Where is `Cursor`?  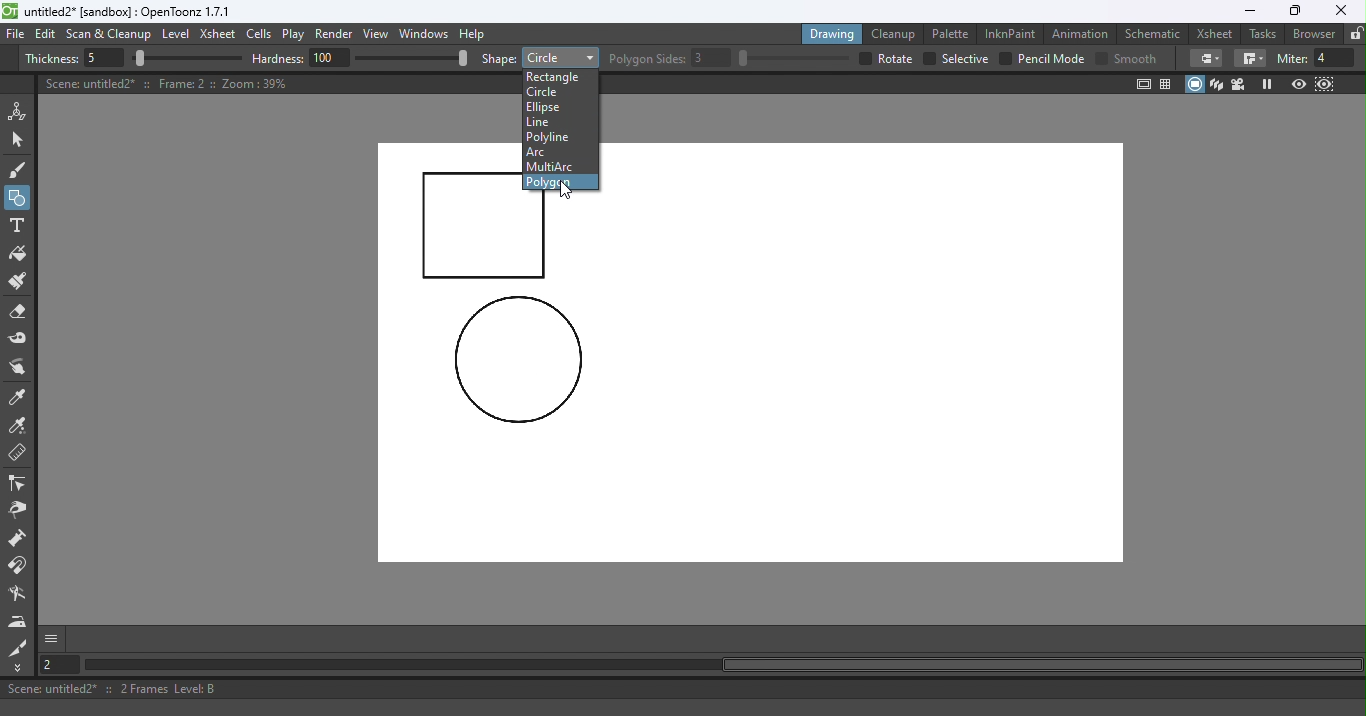
Cursor is located at coordinates (568, 191).